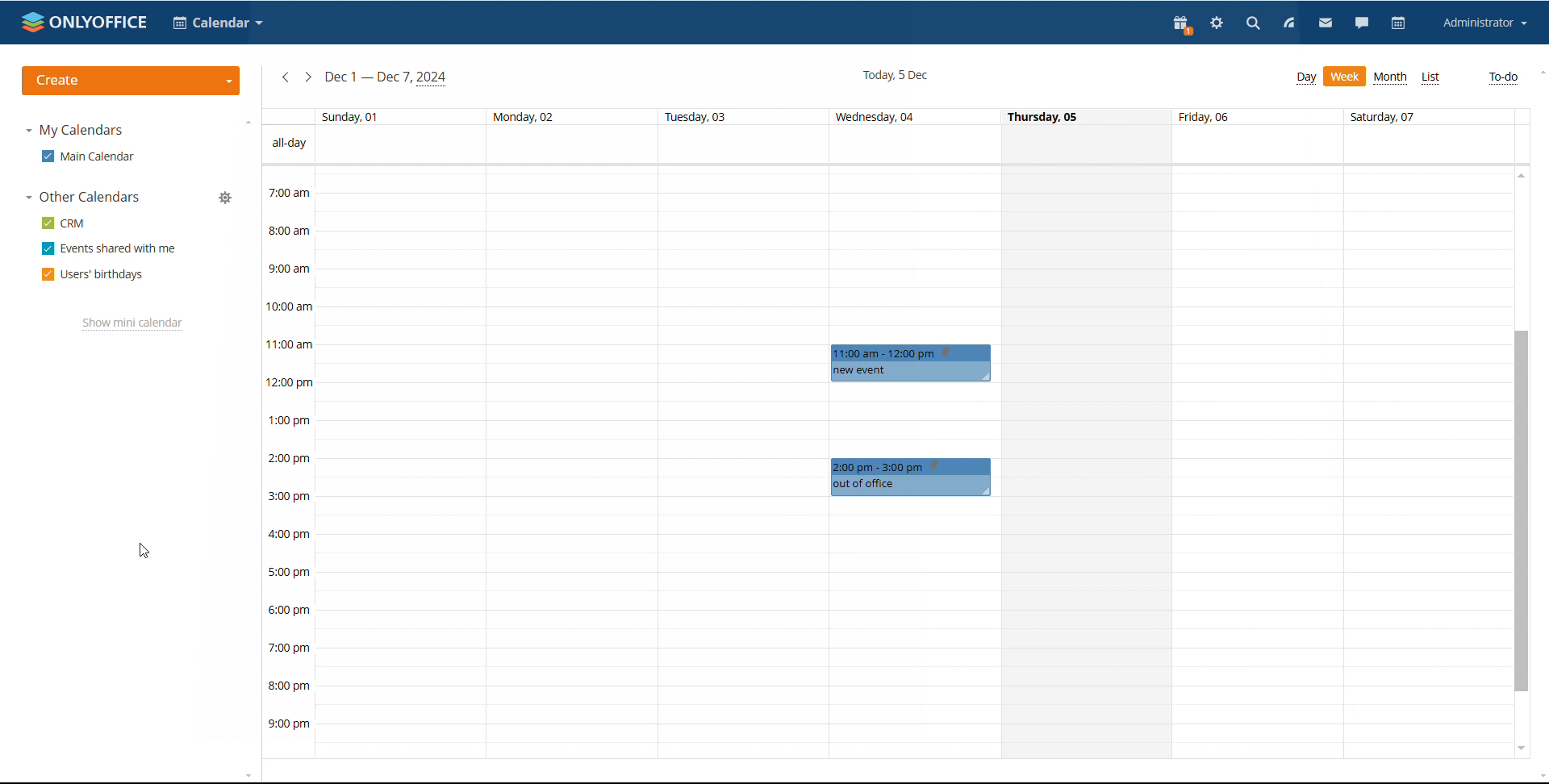 The image size is (1549, 784). What do you see at coordinates (1306, 78) in the screenshot?
I see `day view` at bounding box center [1306, 78].